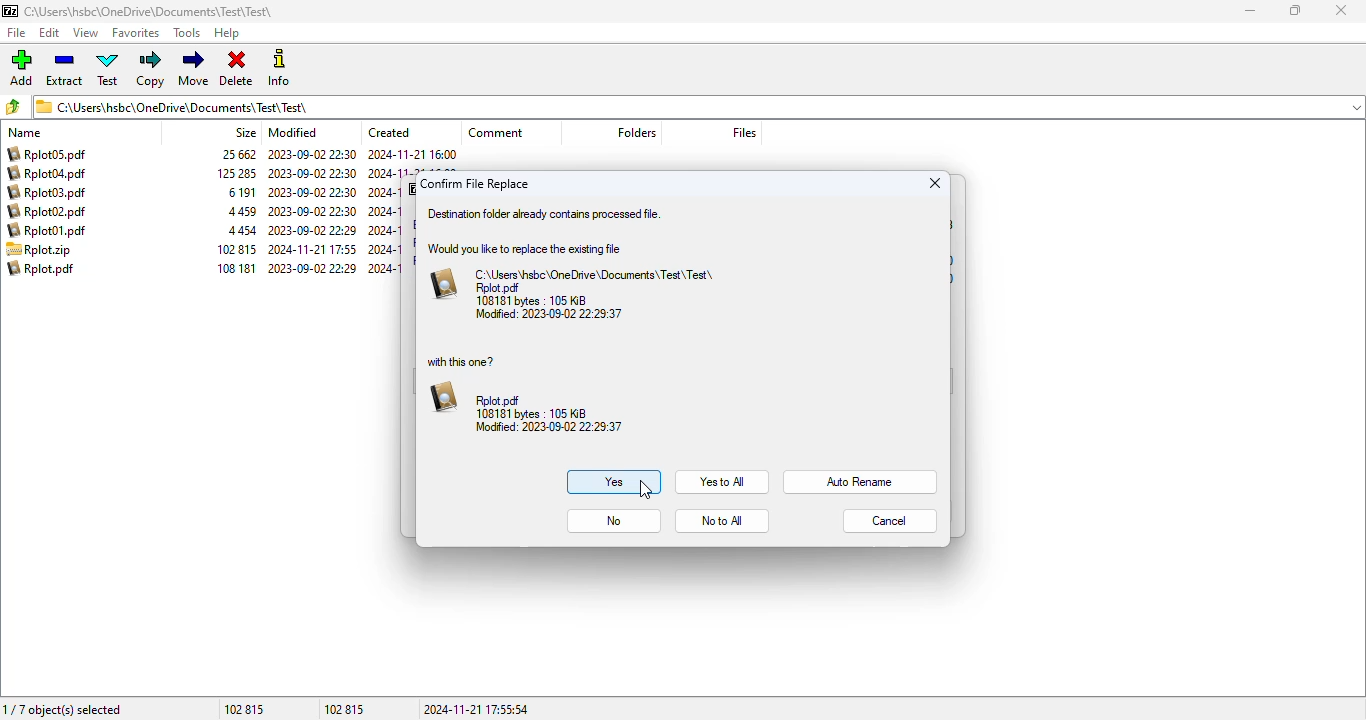 This screenshot has height=720, width=1366. Describe the element at coordinates (85, 32) in the screenshot. I see `view` at that location.